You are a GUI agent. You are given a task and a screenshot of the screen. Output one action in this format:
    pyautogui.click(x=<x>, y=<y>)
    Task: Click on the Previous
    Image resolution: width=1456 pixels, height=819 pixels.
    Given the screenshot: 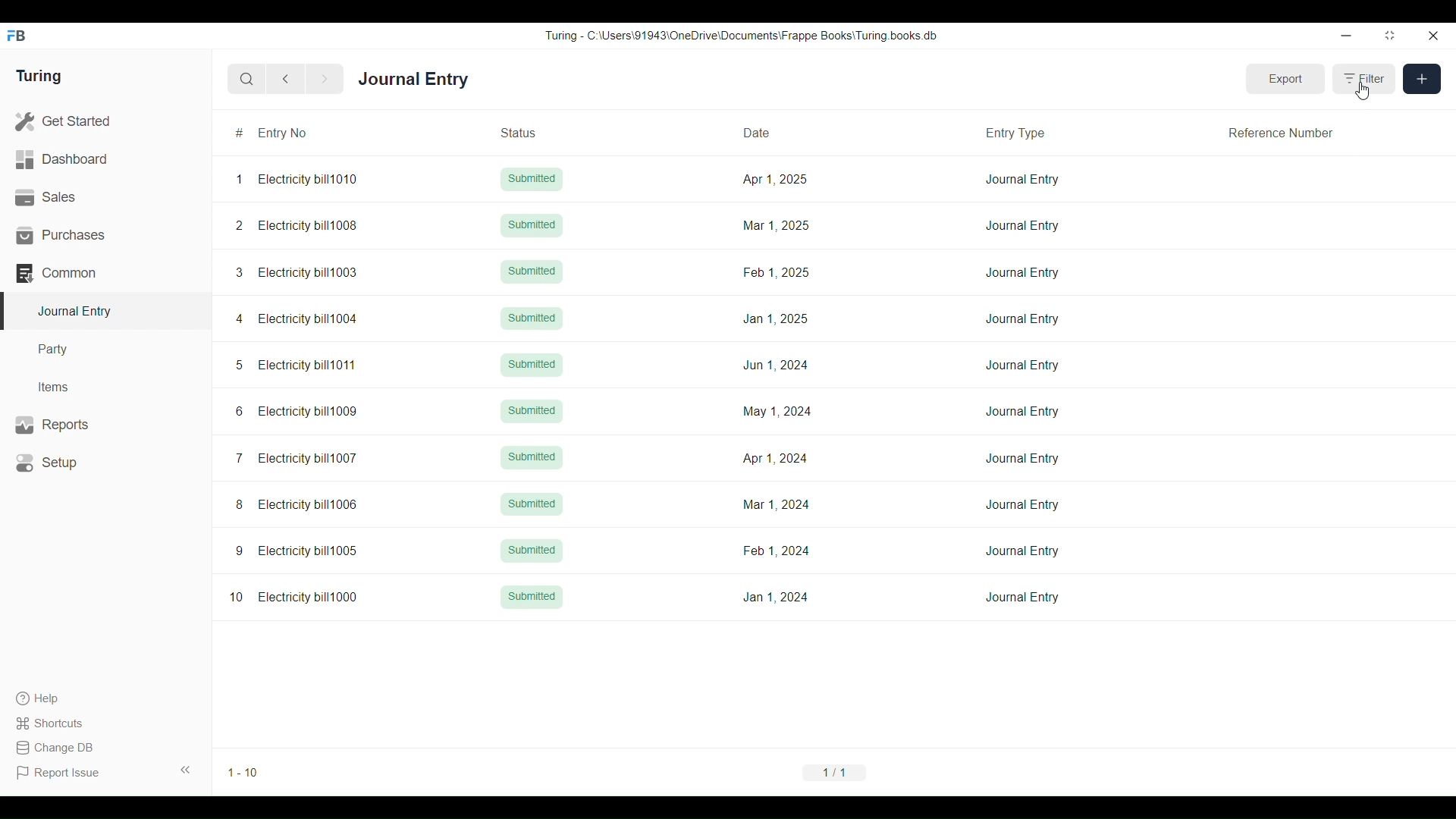 What is the action you would take?
    pyautogui.click(x=286, y=79)
    